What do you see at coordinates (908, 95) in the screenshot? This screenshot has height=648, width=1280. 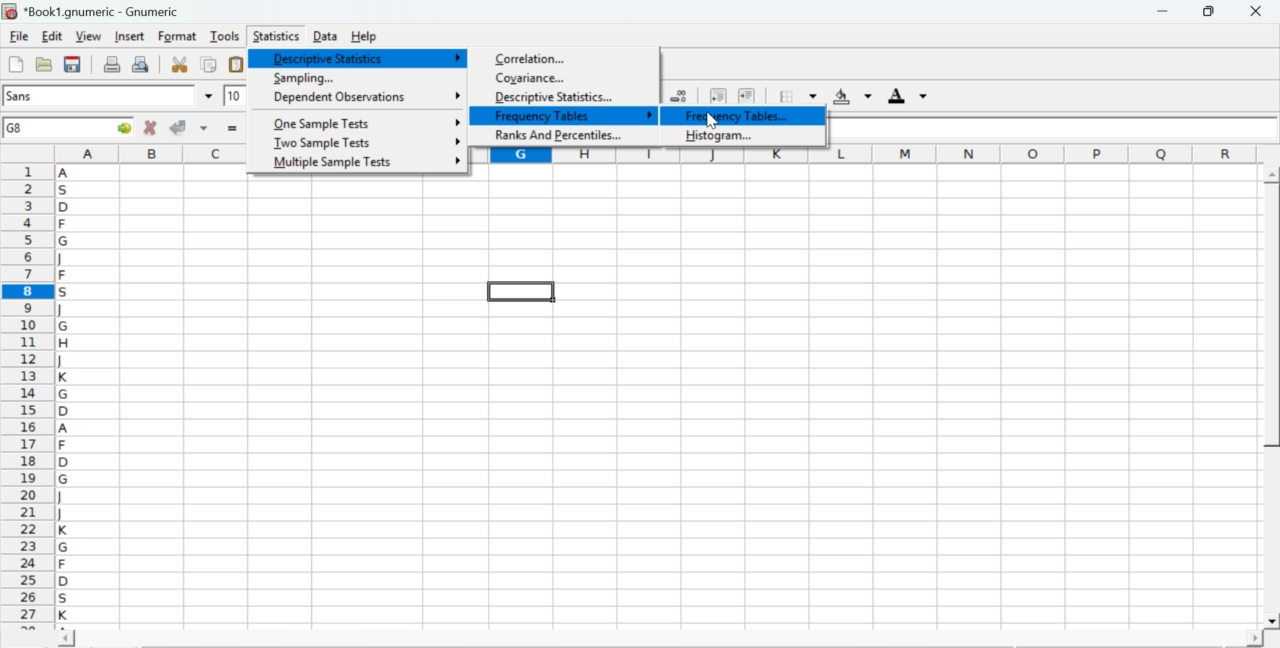 I see `foreground` at bounding box center [908, 95].